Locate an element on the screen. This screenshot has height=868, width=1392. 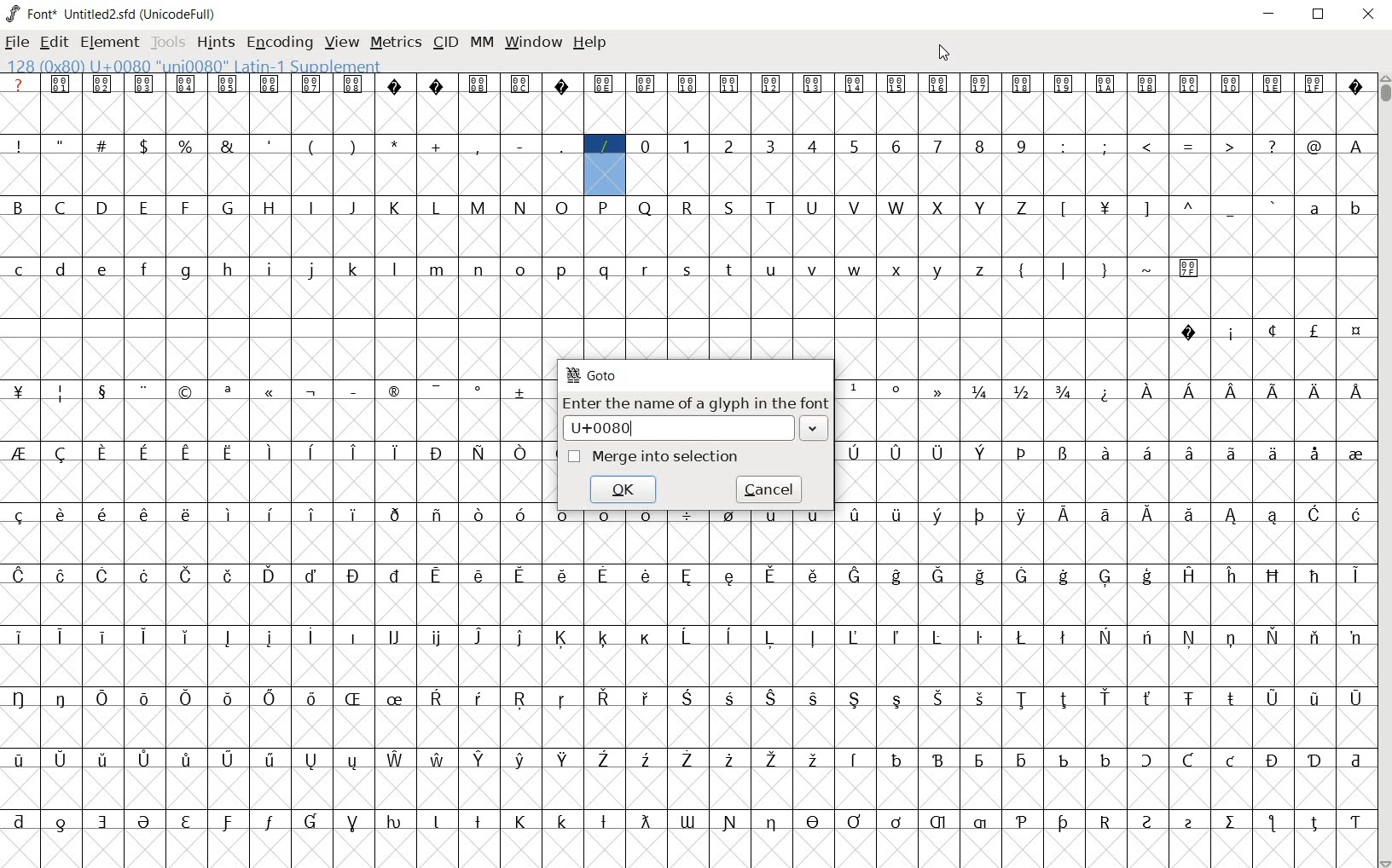
glyph is located at coordinates (311, 206).